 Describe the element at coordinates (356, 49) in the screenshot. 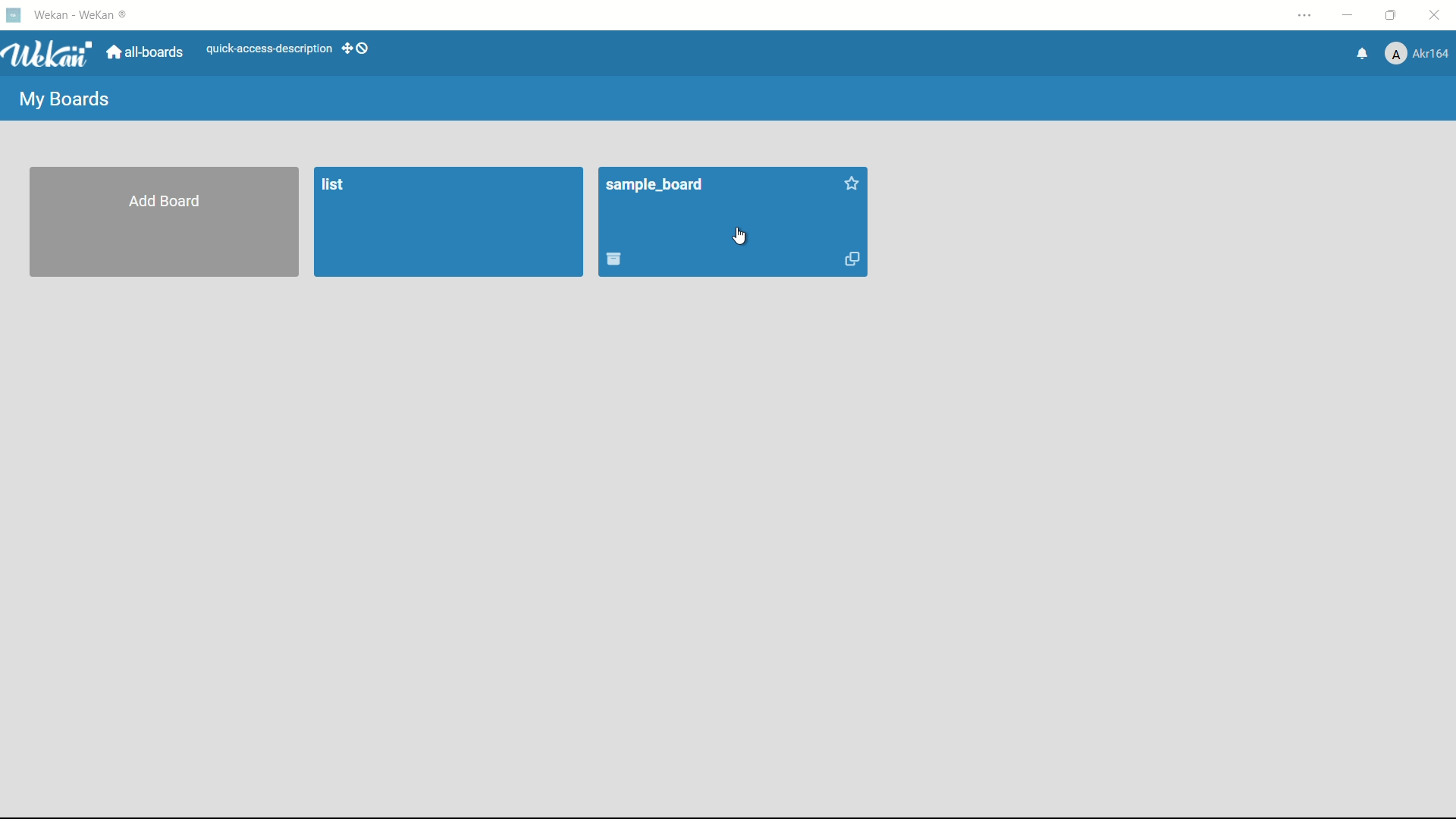

I see `show-desktop-drag-handles` at that location.